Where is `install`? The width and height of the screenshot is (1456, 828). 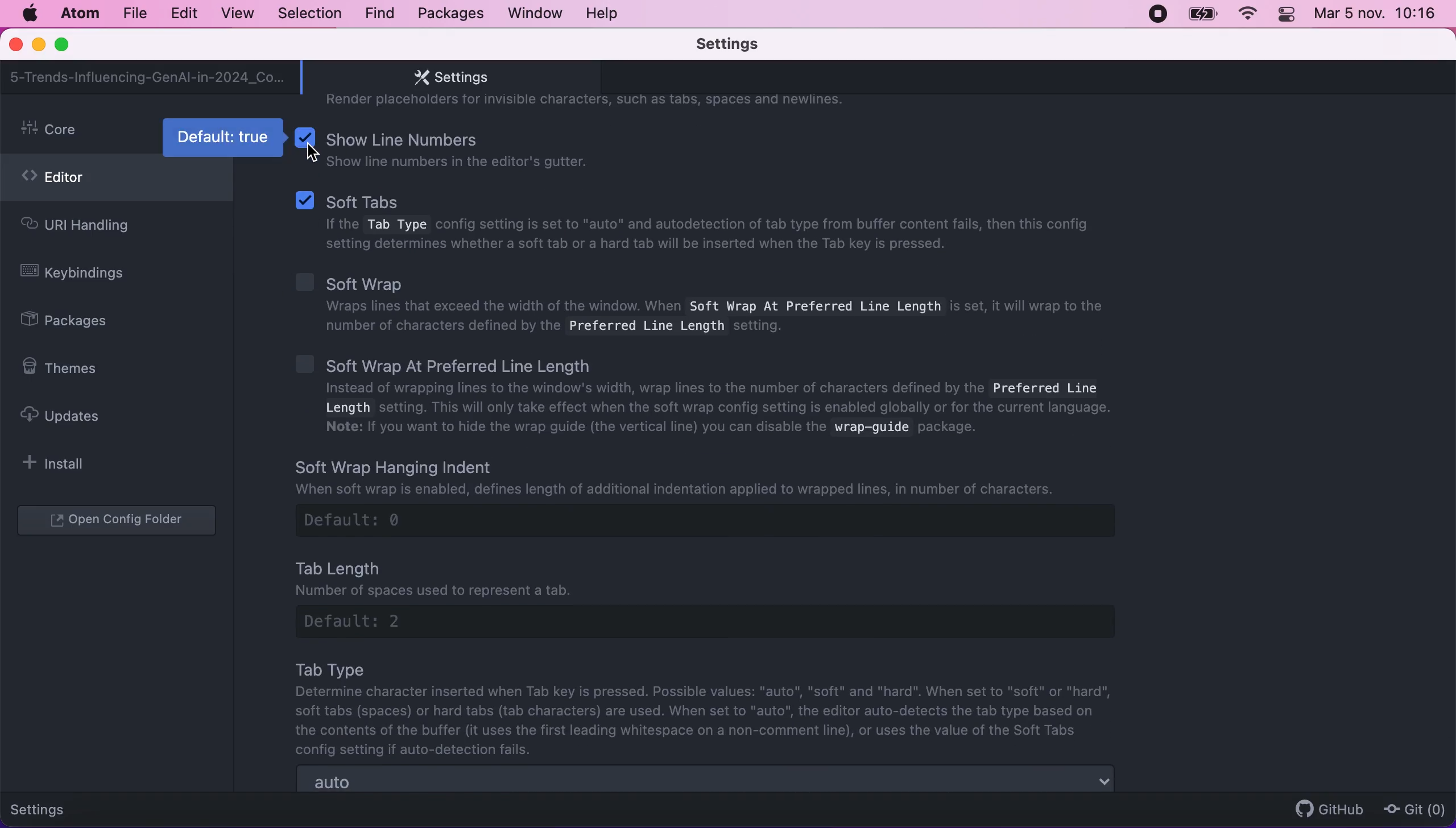 install is located at coordinates (60, 463).